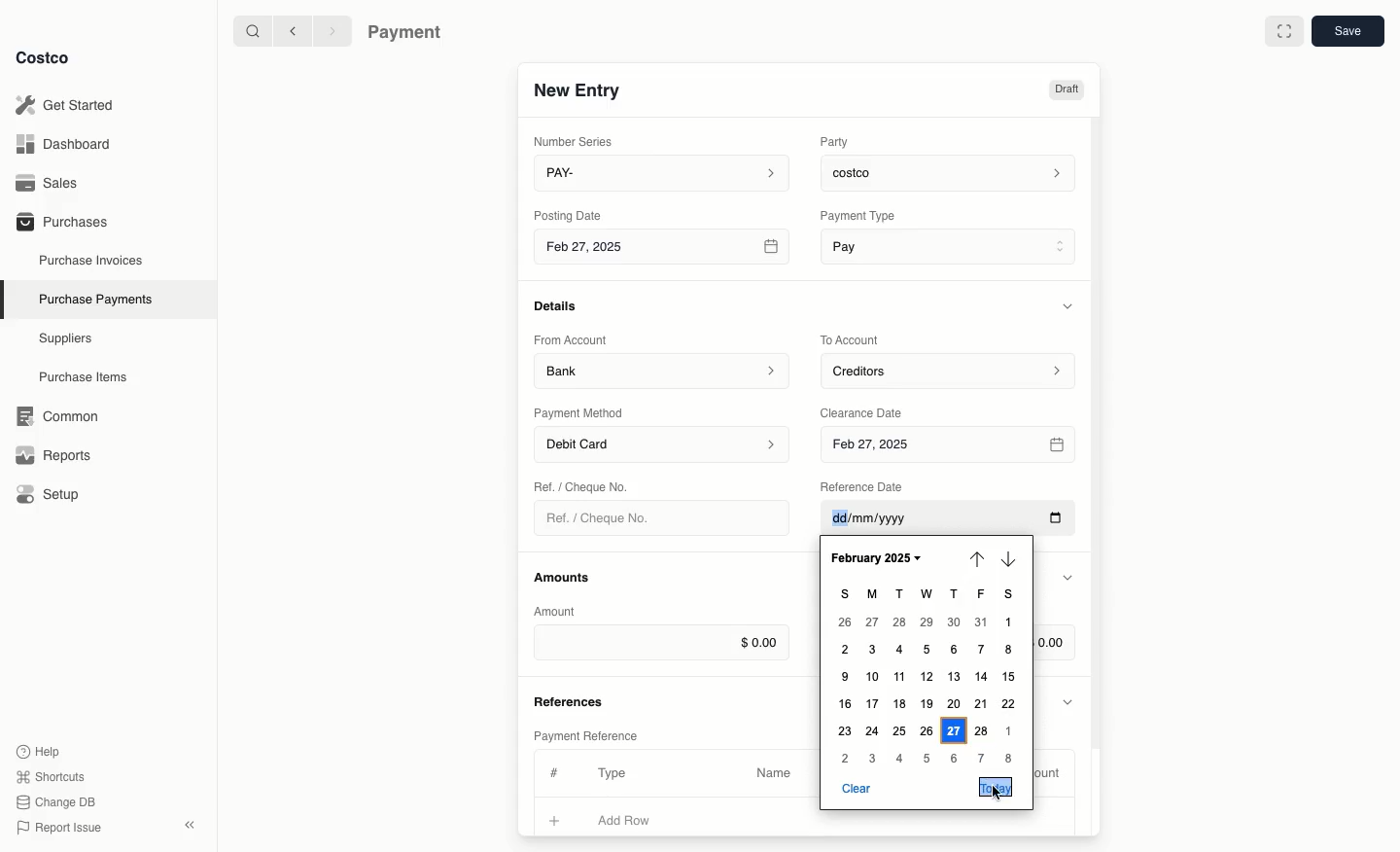  What do you see at coordinates (551, 770) in the screenshot?
I see `#` at bounding box center [551, 770].